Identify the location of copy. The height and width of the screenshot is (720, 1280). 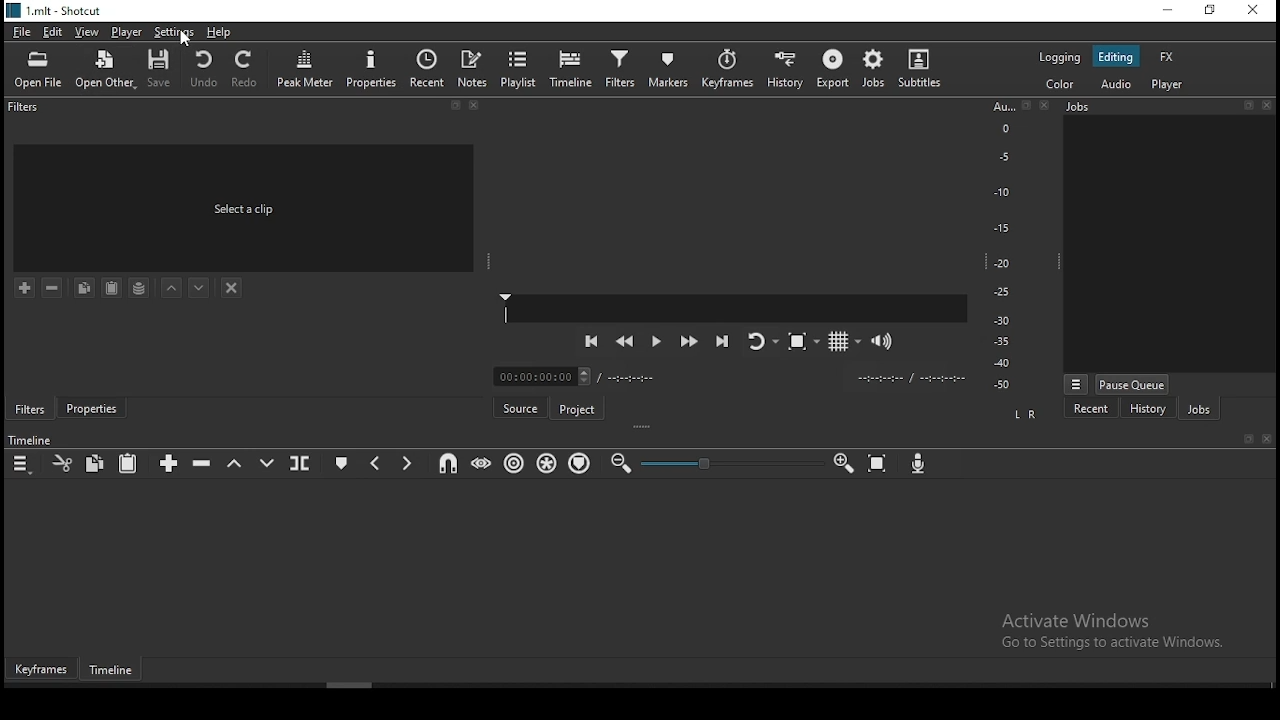
(98, 464).